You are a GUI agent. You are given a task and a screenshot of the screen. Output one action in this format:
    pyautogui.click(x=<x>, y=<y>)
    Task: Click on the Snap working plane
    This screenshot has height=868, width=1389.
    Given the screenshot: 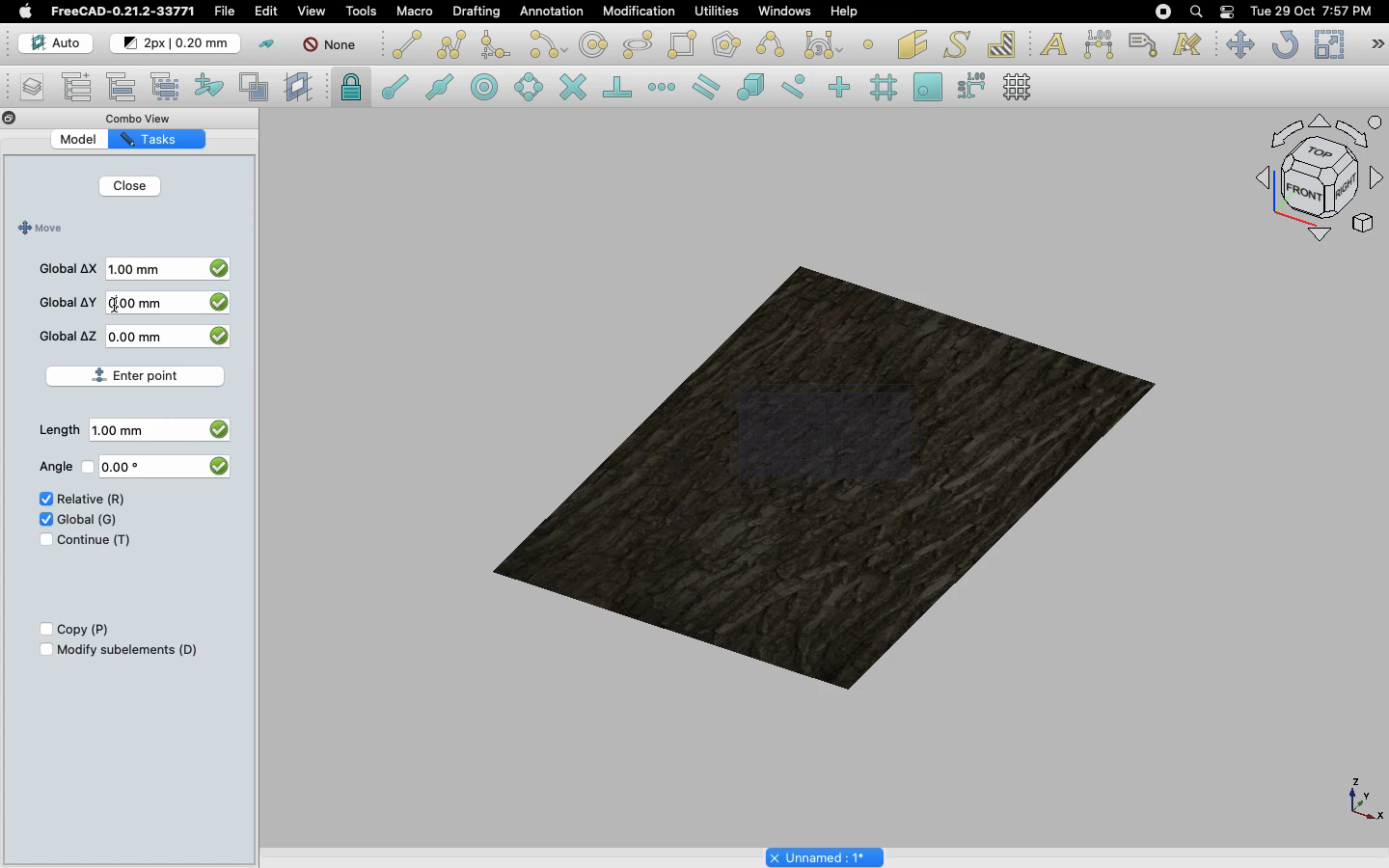 What is the action you would take?
    pyautogui.click(x=928, y=89)
    